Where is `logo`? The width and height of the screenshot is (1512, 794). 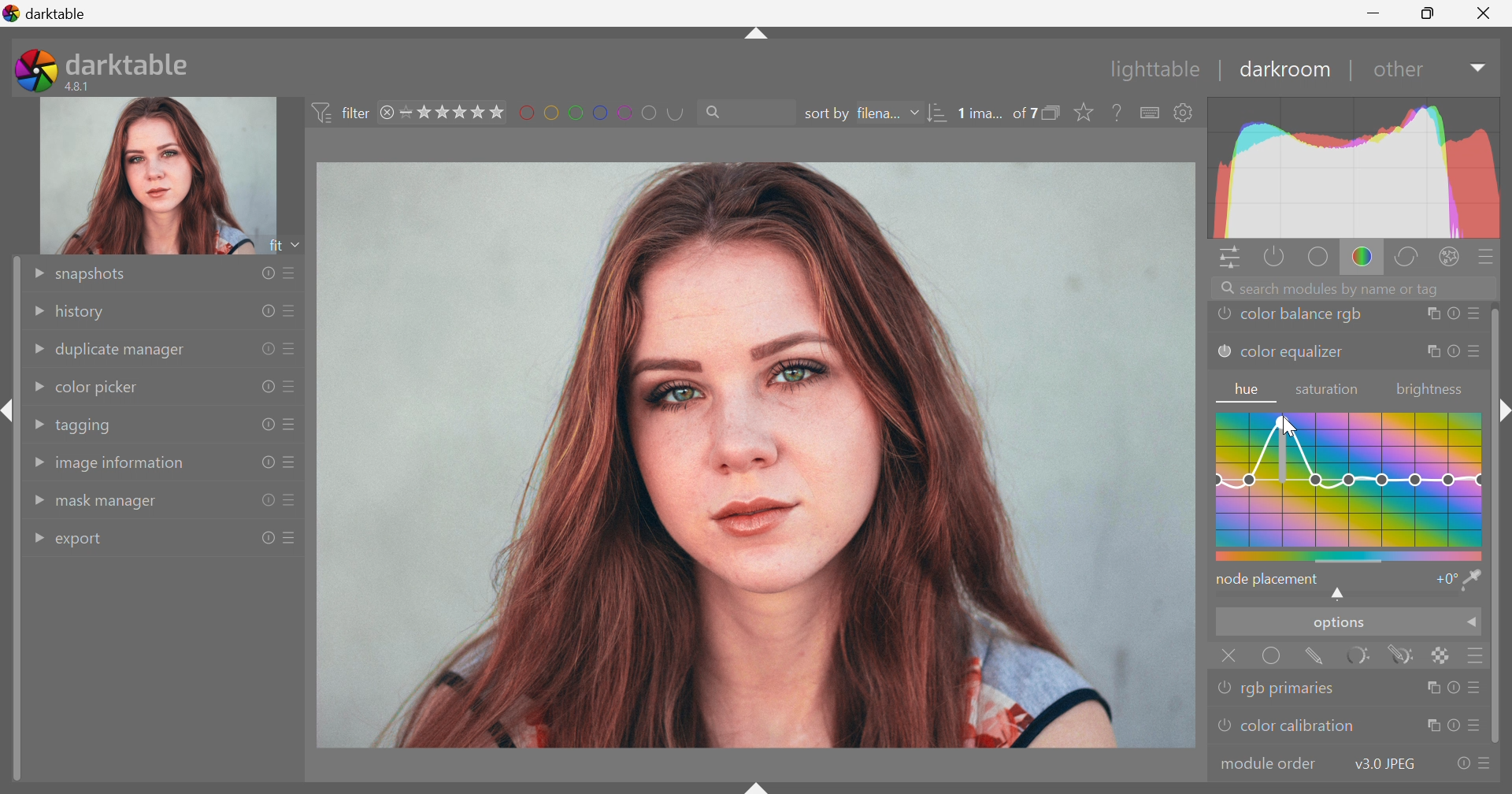
logo is located at coordinates (12, 13).